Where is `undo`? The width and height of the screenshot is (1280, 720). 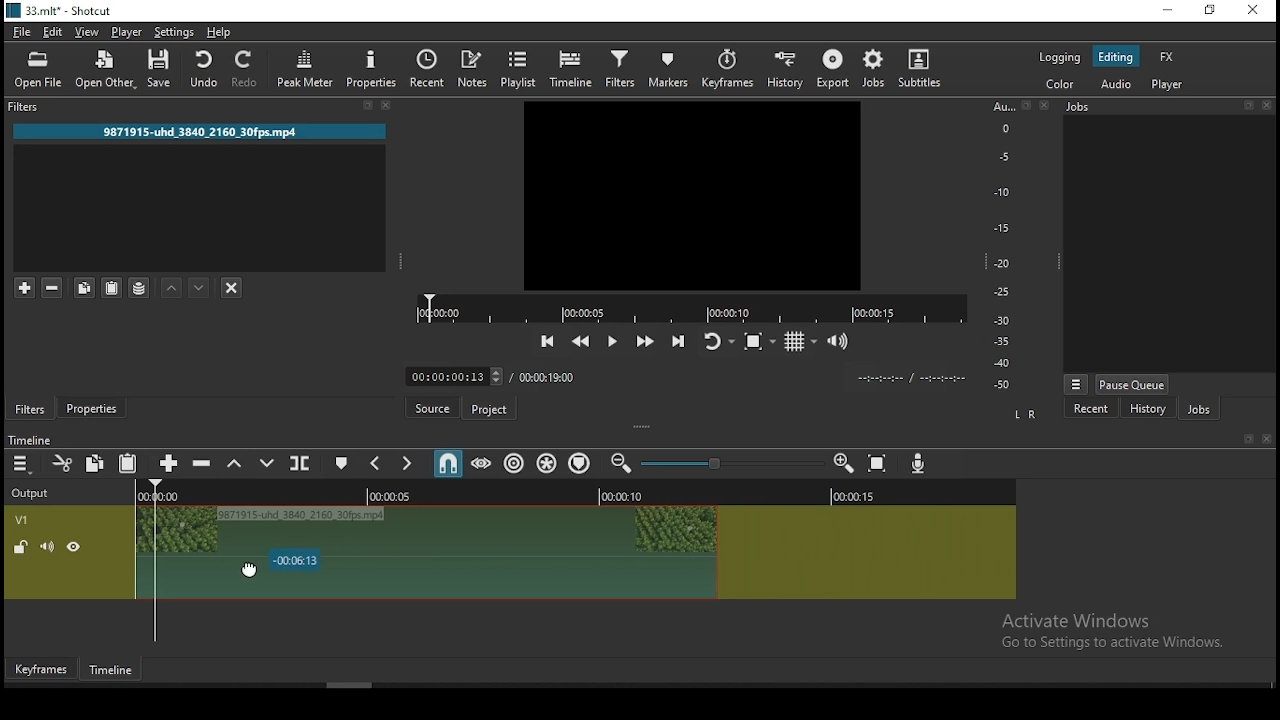 undo is located at coordinates (204, 70).